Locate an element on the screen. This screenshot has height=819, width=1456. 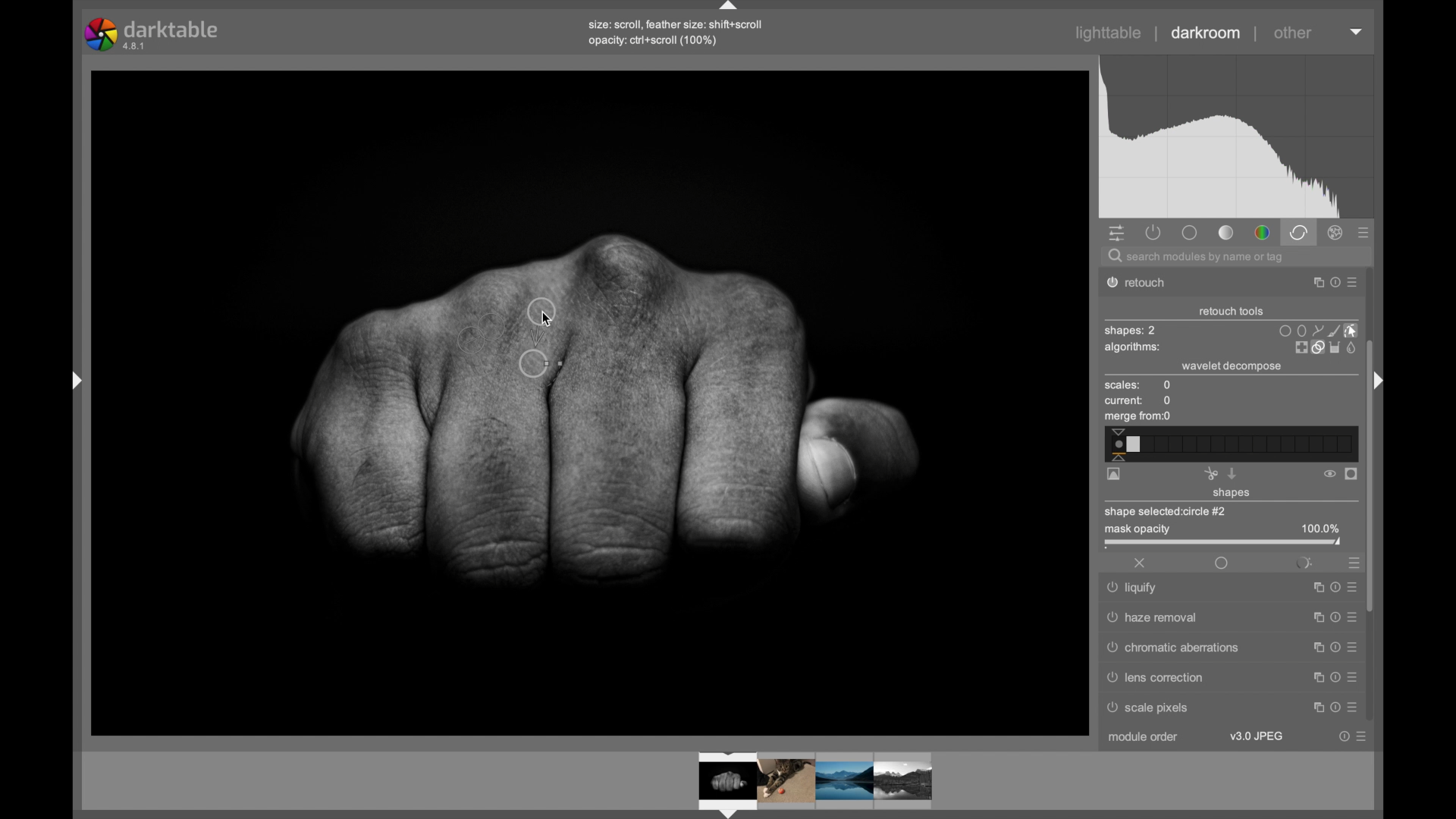
merge from: 0 is located at coordinates (1138, 418).